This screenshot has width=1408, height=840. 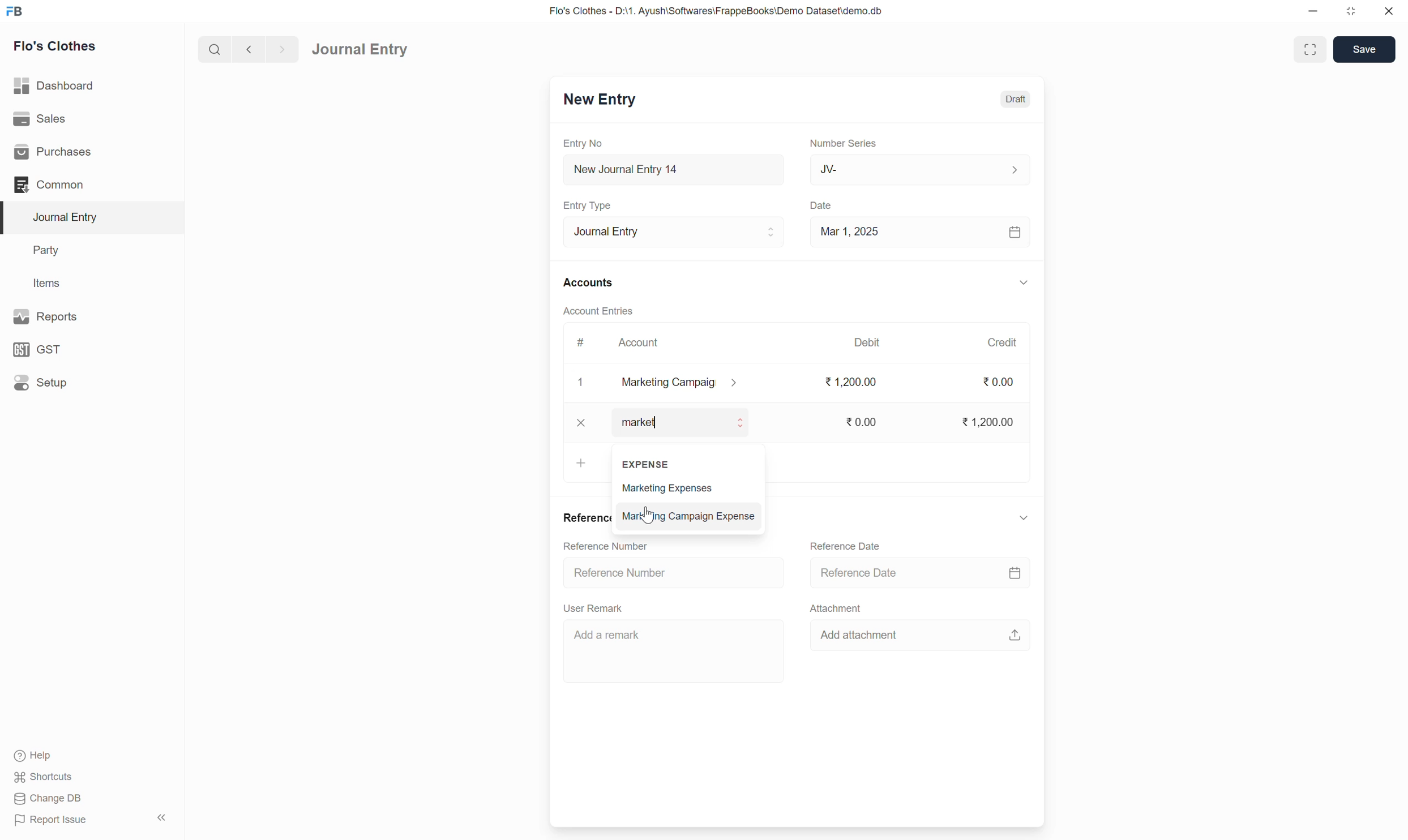 What do you see at coordinates (1002, 342) in the screenshot?
I see `Credit` at bounding box center [1002, 342].